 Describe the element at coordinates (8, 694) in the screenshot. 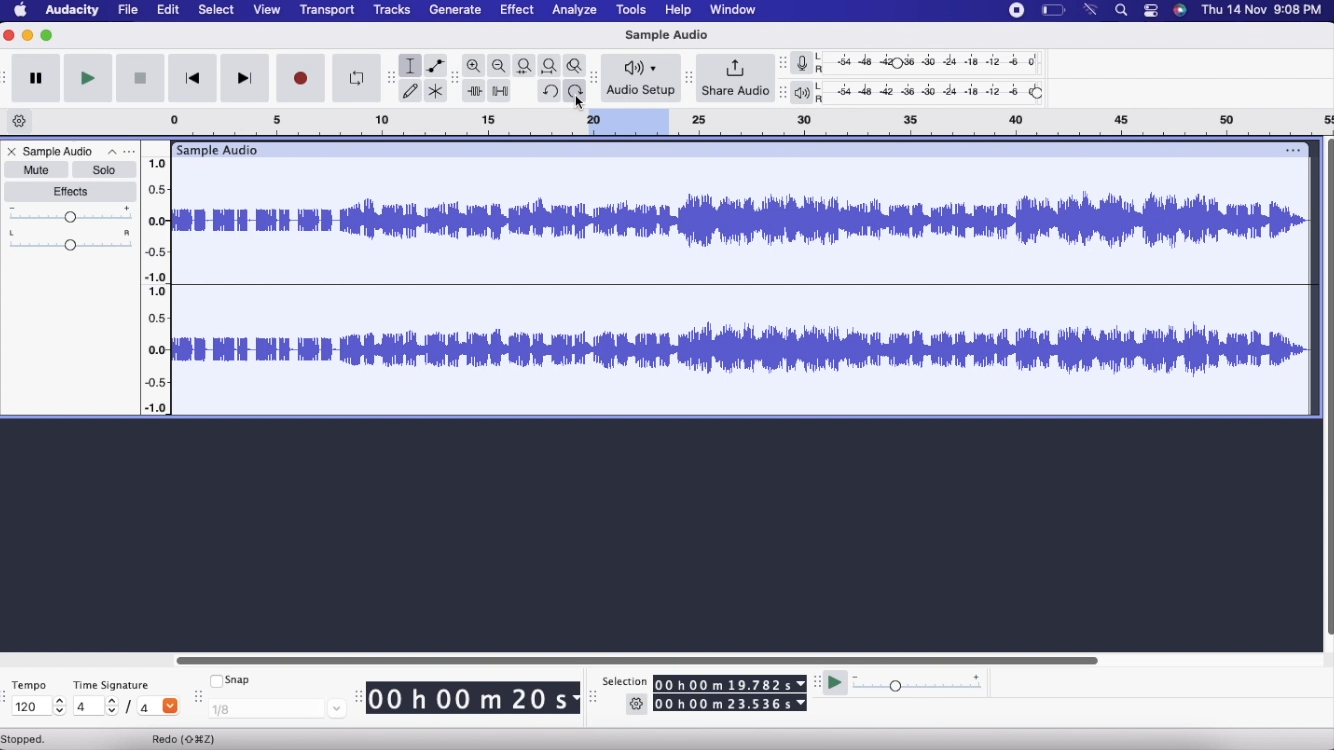

I see `move toolbar` at that location.